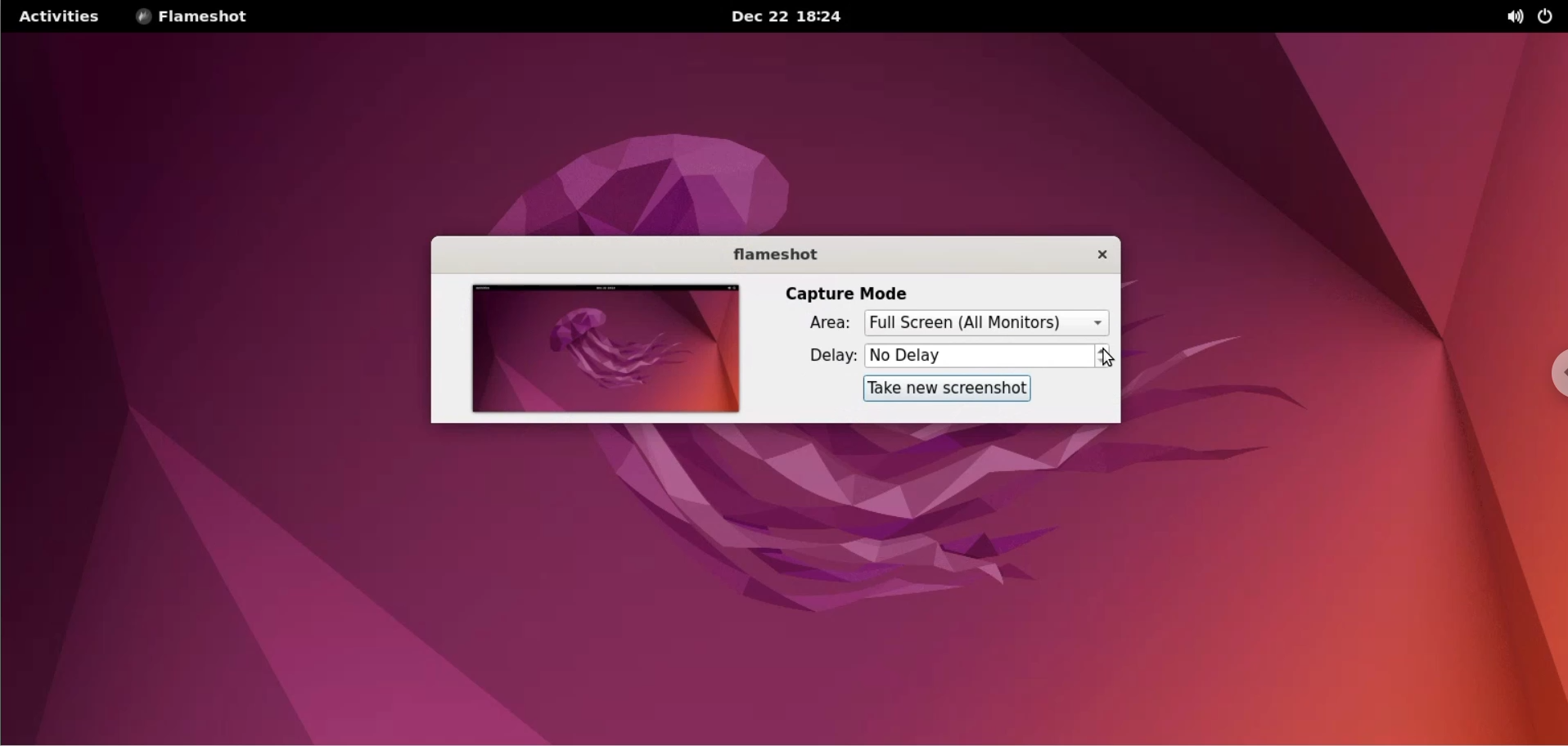 This screenshot has width=1568, height=746. I want to click on close , so click(1094, 256).